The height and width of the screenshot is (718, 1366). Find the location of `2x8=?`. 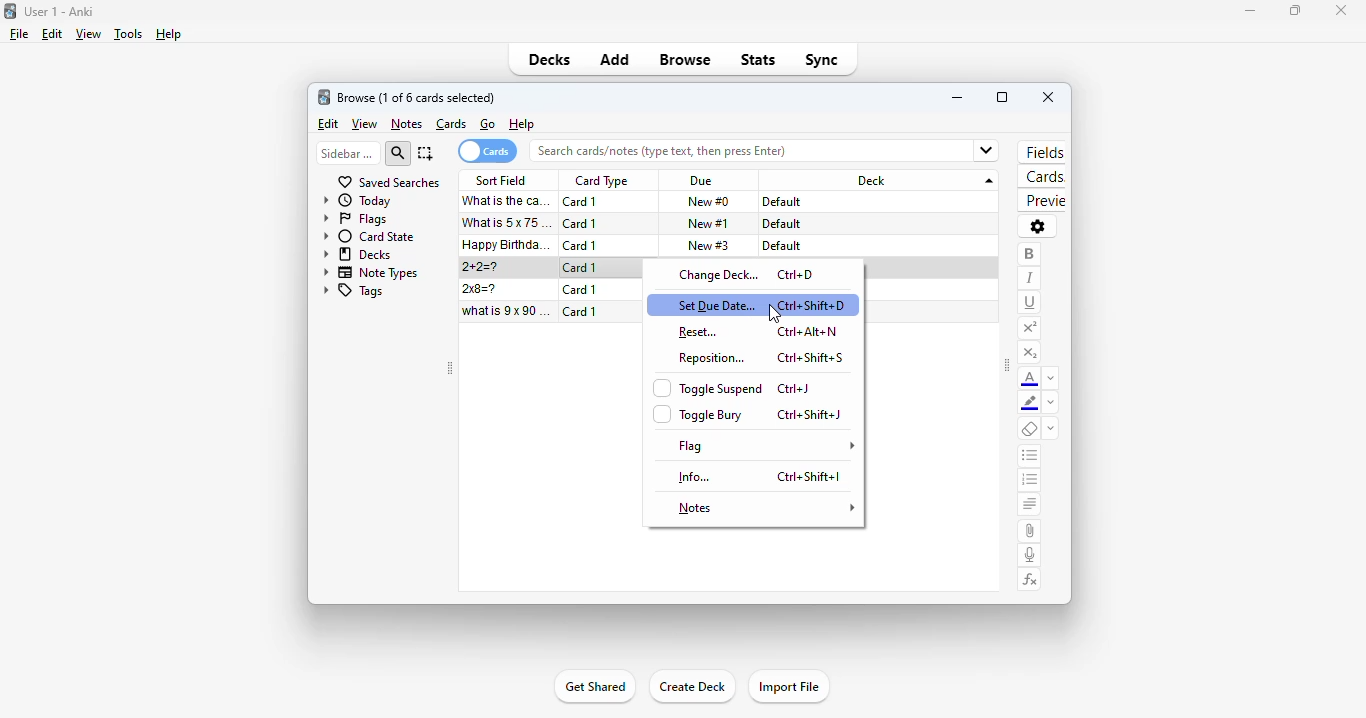

2x8=? is located at coordinates (482, 289).